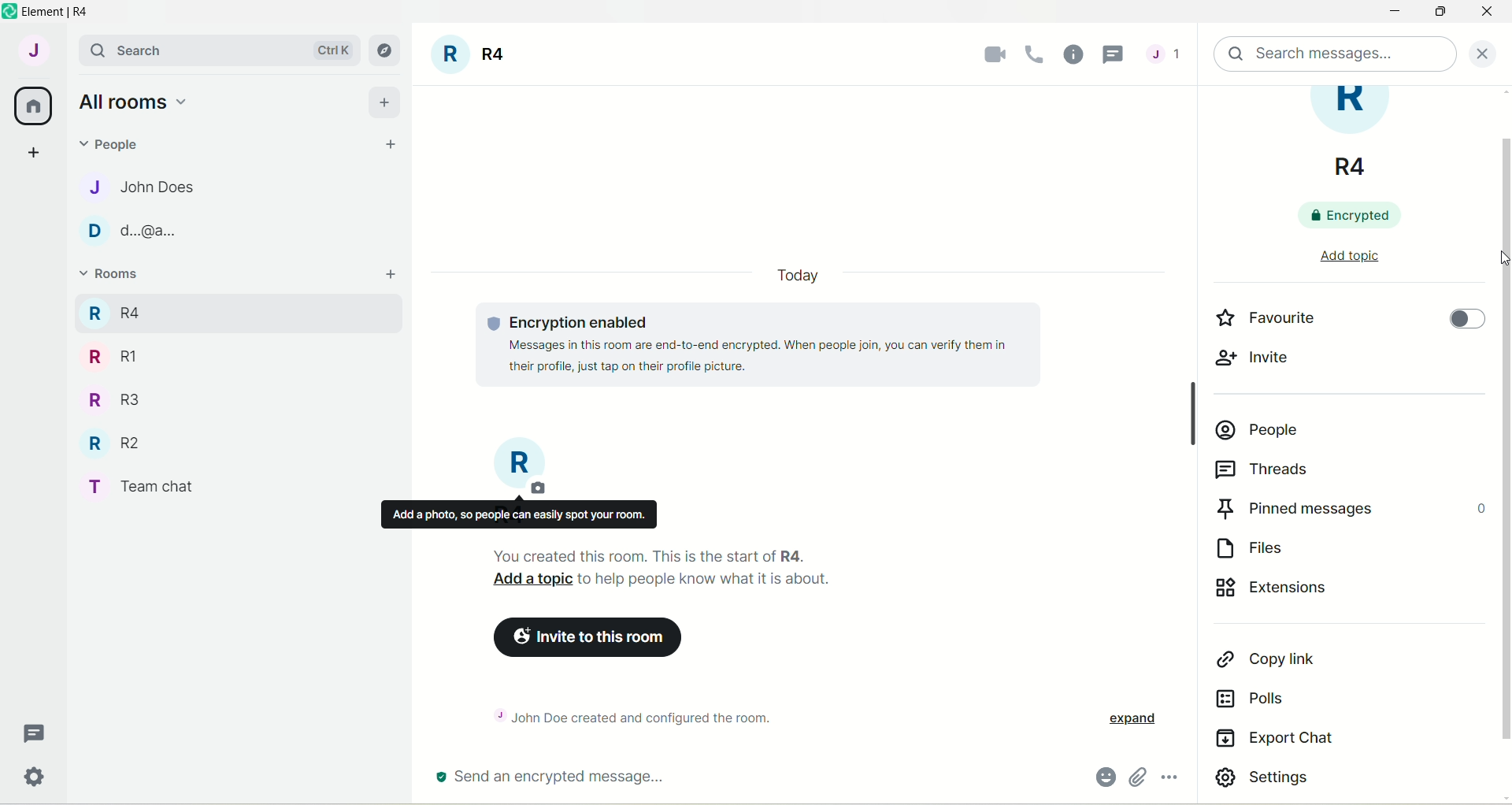  What do you see at coordinates (1259, 699) in the screenshot?
I see `polls` at bounding box center [1259, 699].